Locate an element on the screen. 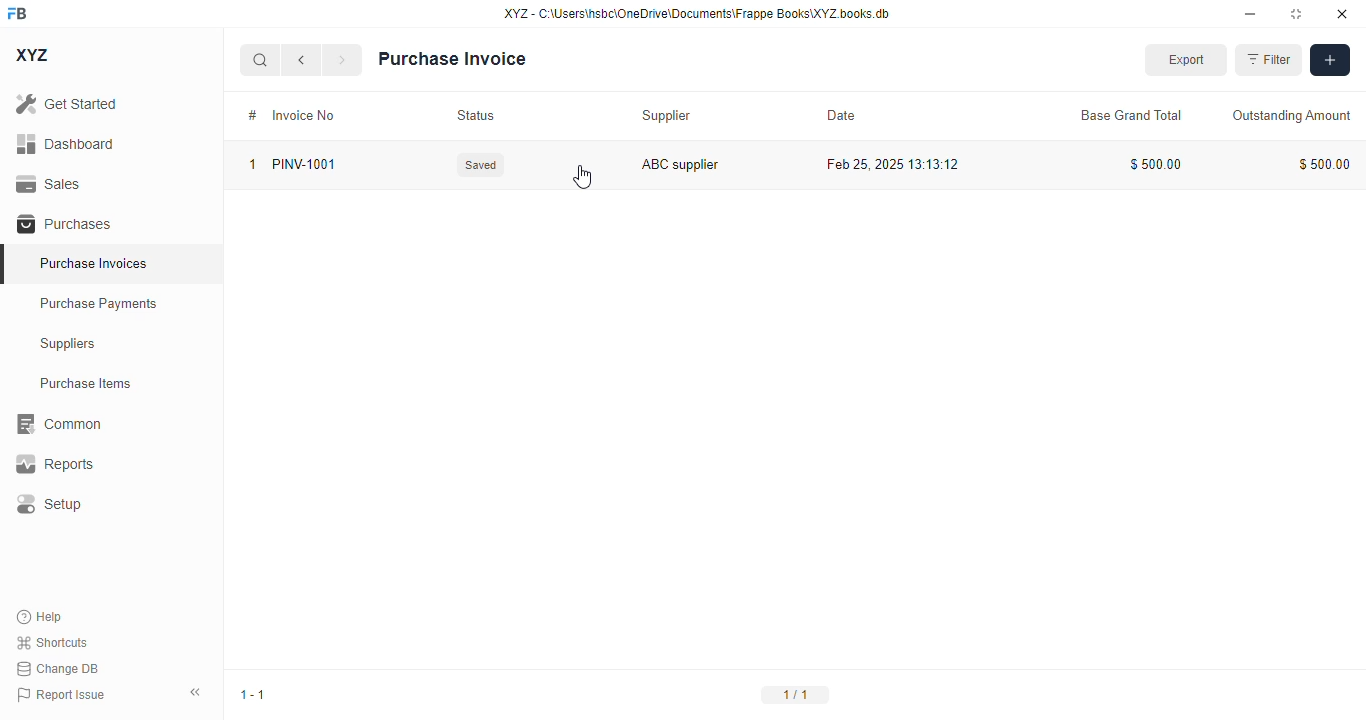  previous is located at coordinates (301, 60).